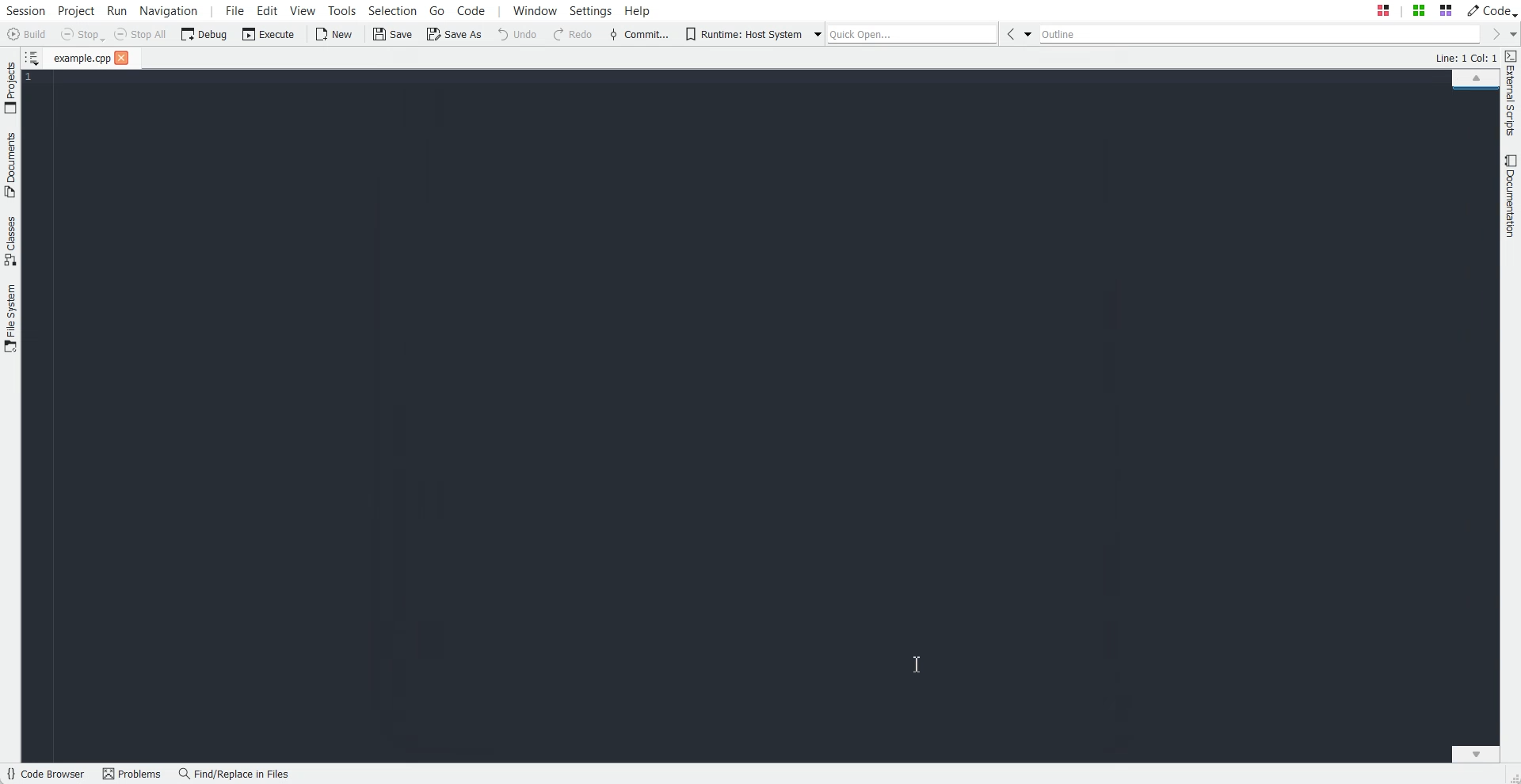 Image resolution: width=1521 pixels, height=784 pixels. I want to click on Runtime: Host System, so click(741, 34).